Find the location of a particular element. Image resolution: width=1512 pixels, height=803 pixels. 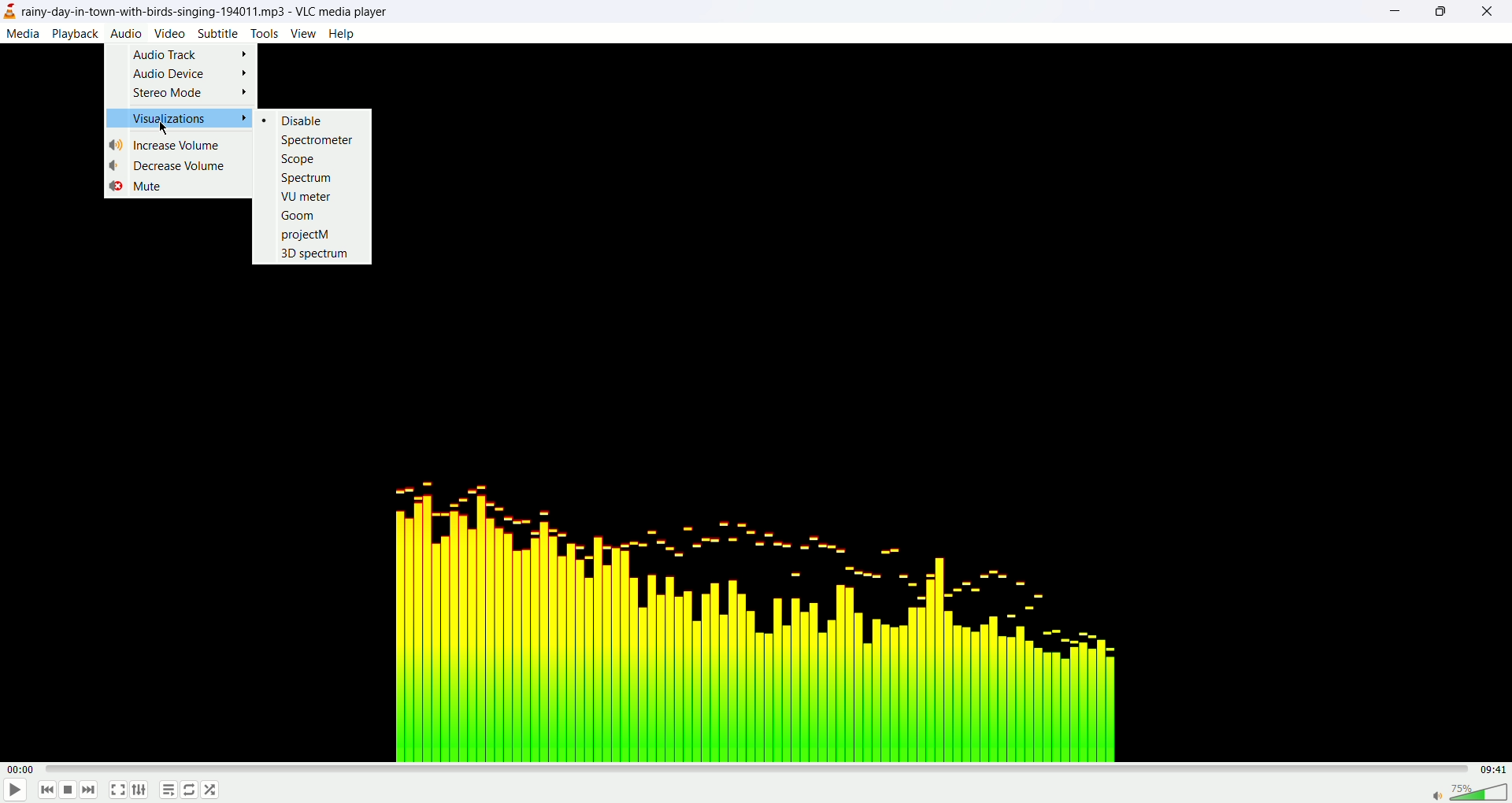

Cursor is located at coordinates (166, 128).